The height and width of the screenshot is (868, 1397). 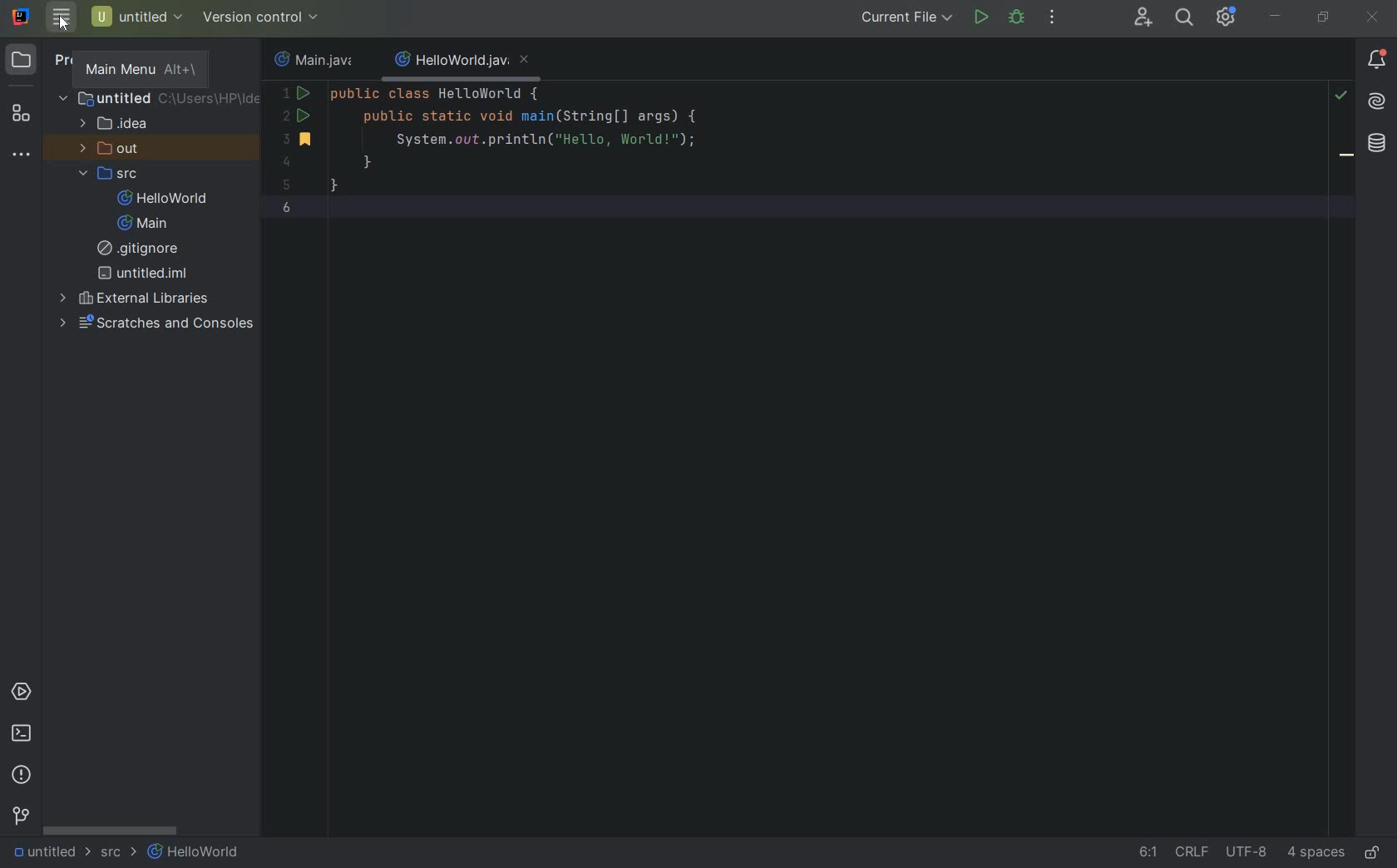 I want to click on system name, so click(x=21, y=17).